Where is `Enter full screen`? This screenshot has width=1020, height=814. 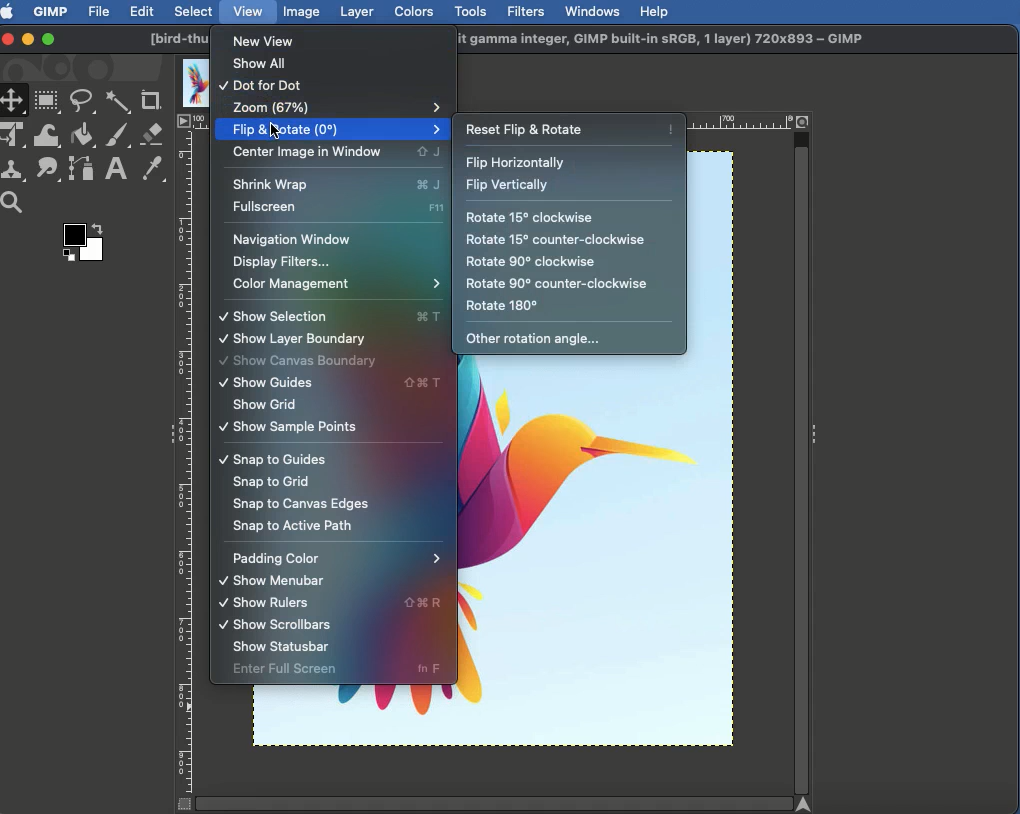
Enter full screen is located at coordinates (304, 670).